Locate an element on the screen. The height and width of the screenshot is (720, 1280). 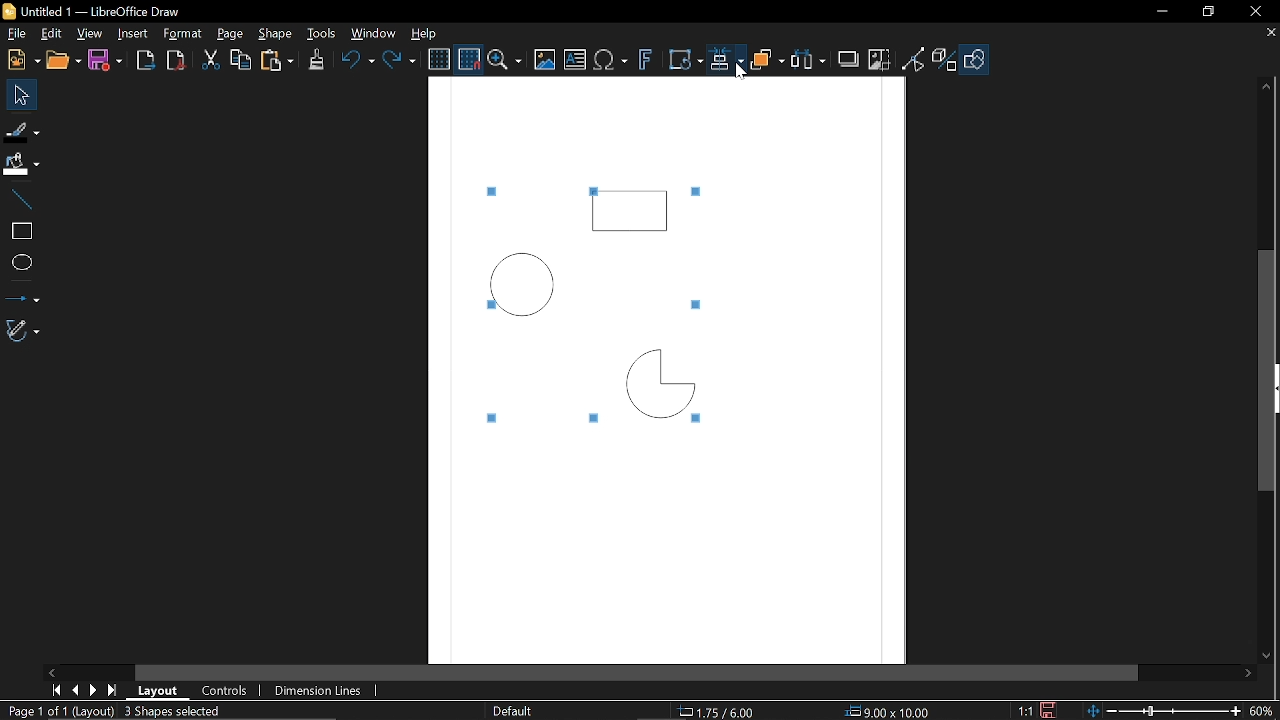
Open is located at coordinates (63, 60).